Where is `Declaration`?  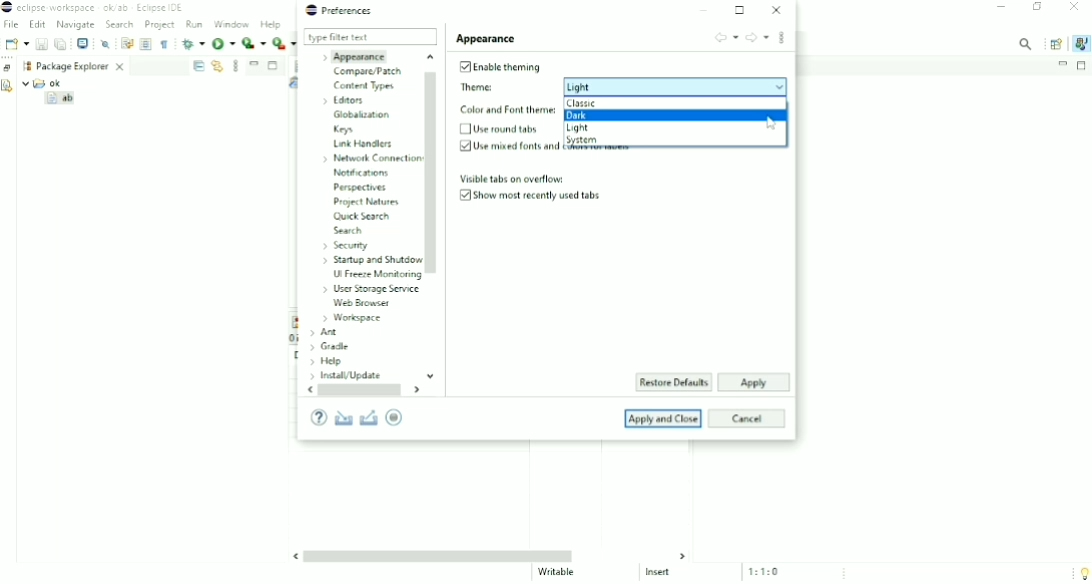 Declaration is located at coordinates (8, 88).